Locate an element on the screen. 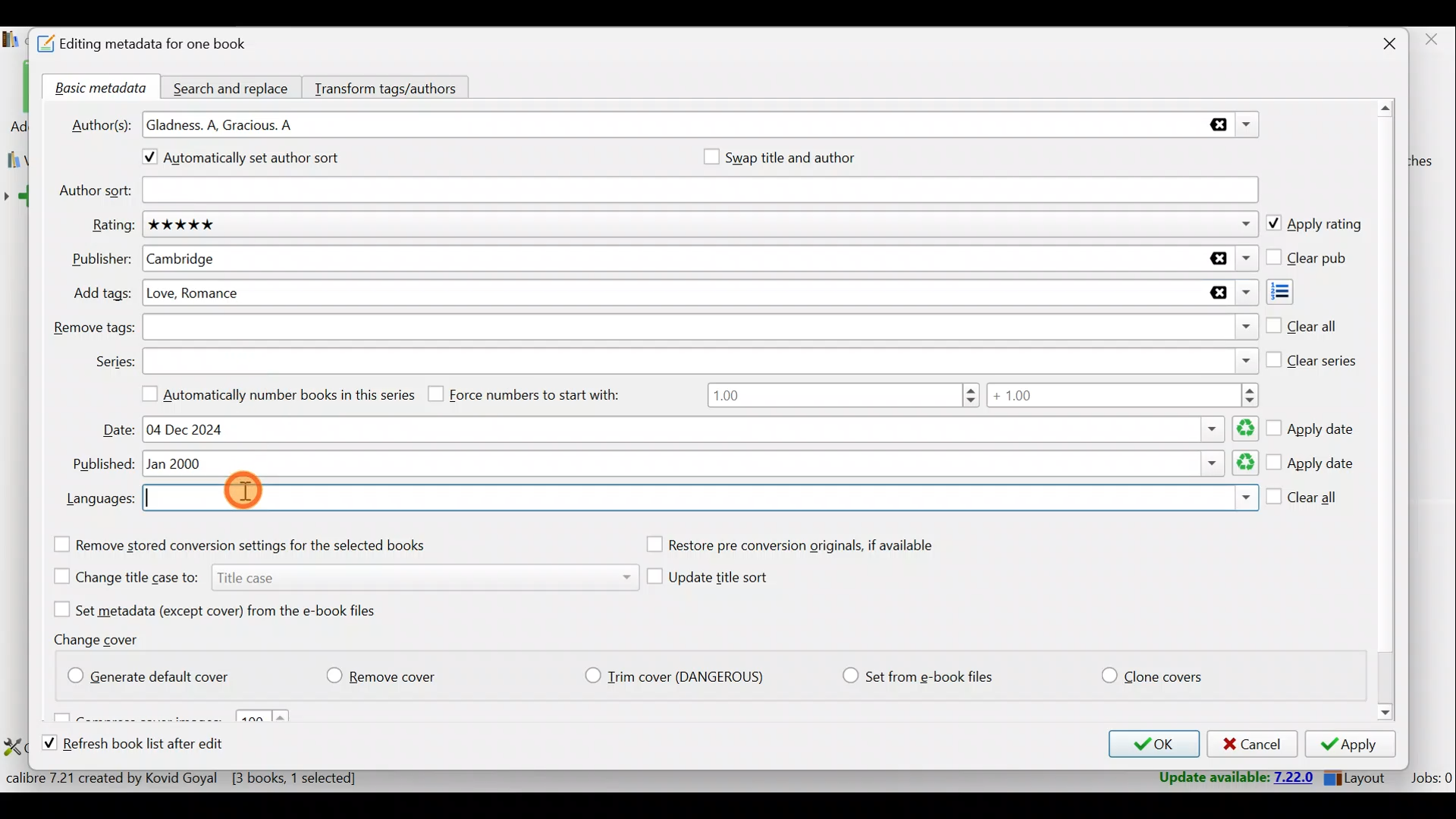 The height and width of the screenshot is (819, 1456). Publisher is located at coordinates (699, 260).